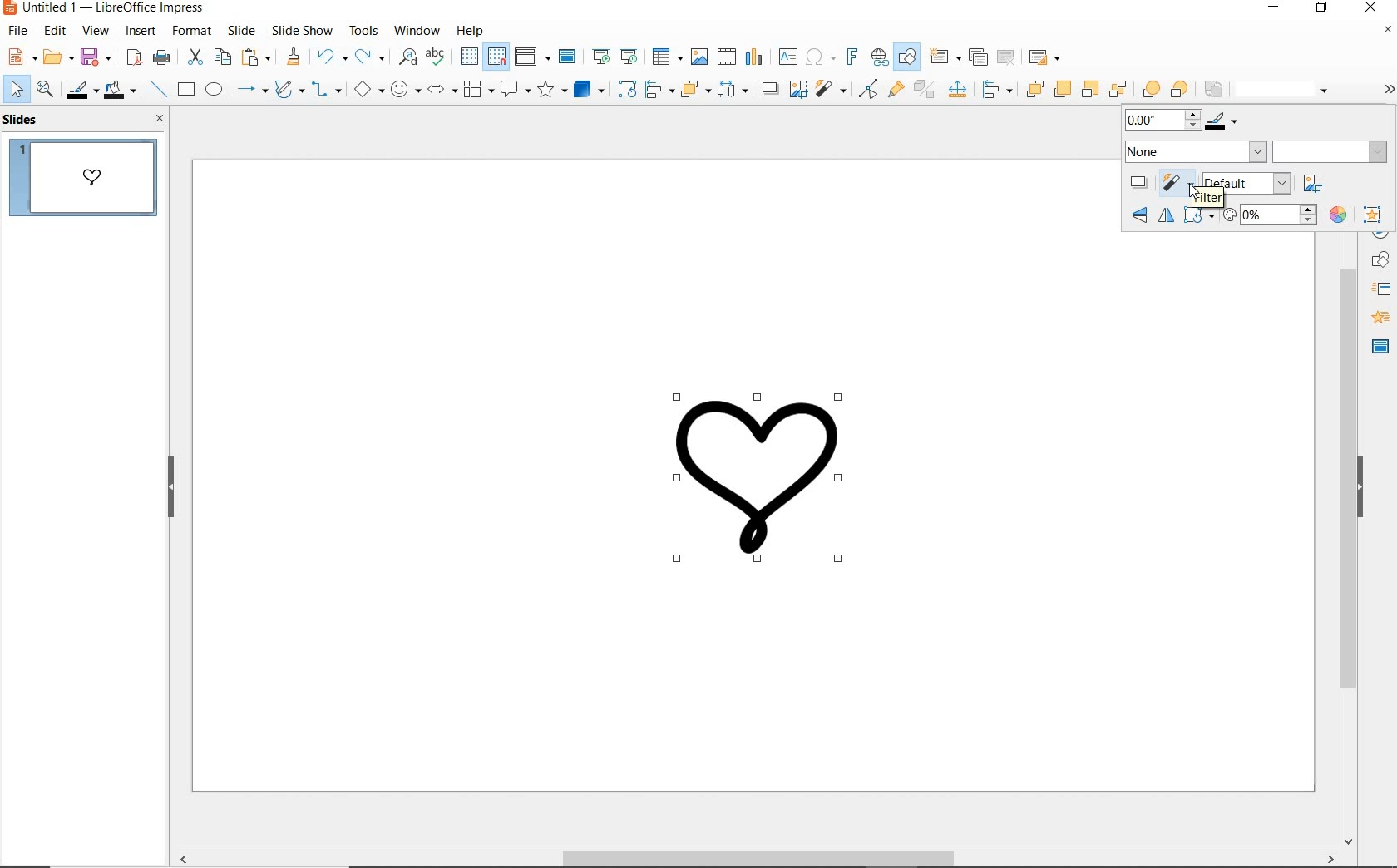 Image resolution: width=1397 pixels, height=868 pixels. Describe the element at coordinates (81, 90) in the screenshot. I see `line color` at that location.